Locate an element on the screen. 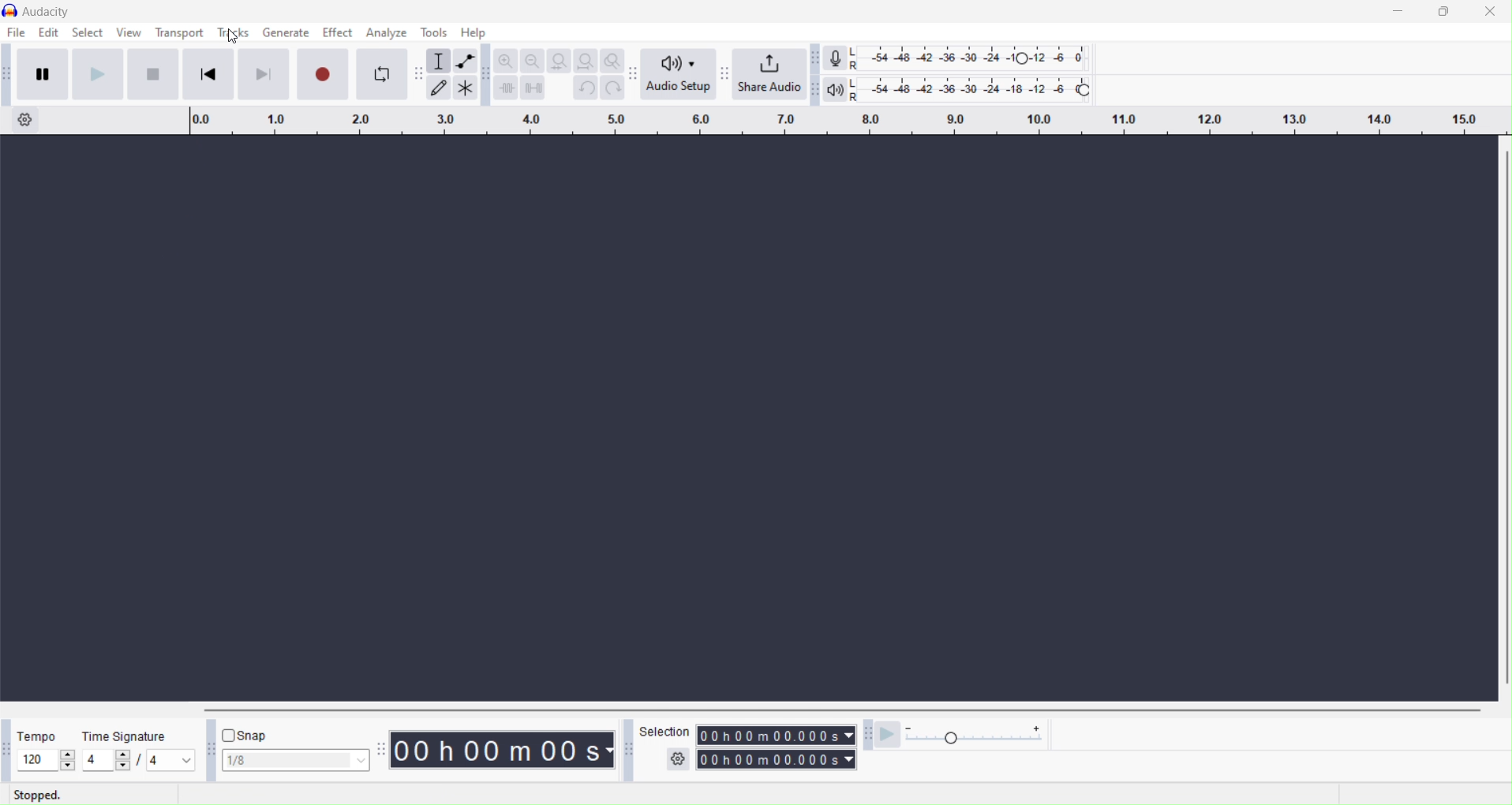 The height and width of the screenshot is (805, 1512). Skip to end is located at coordinates (267, 73).